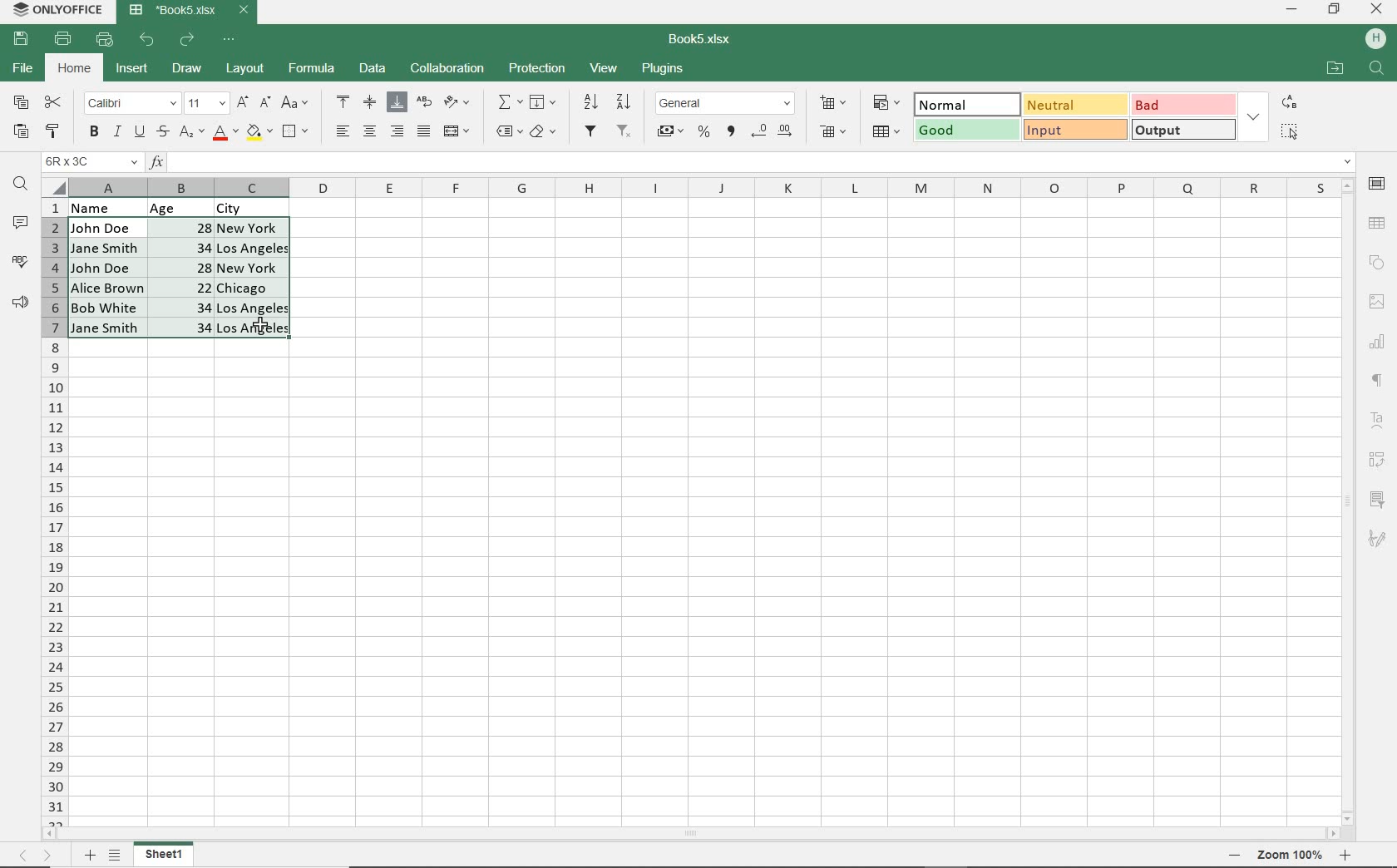 The image size is (1397, 868). I want to click on JUSTIFIED, so click(423, 131).